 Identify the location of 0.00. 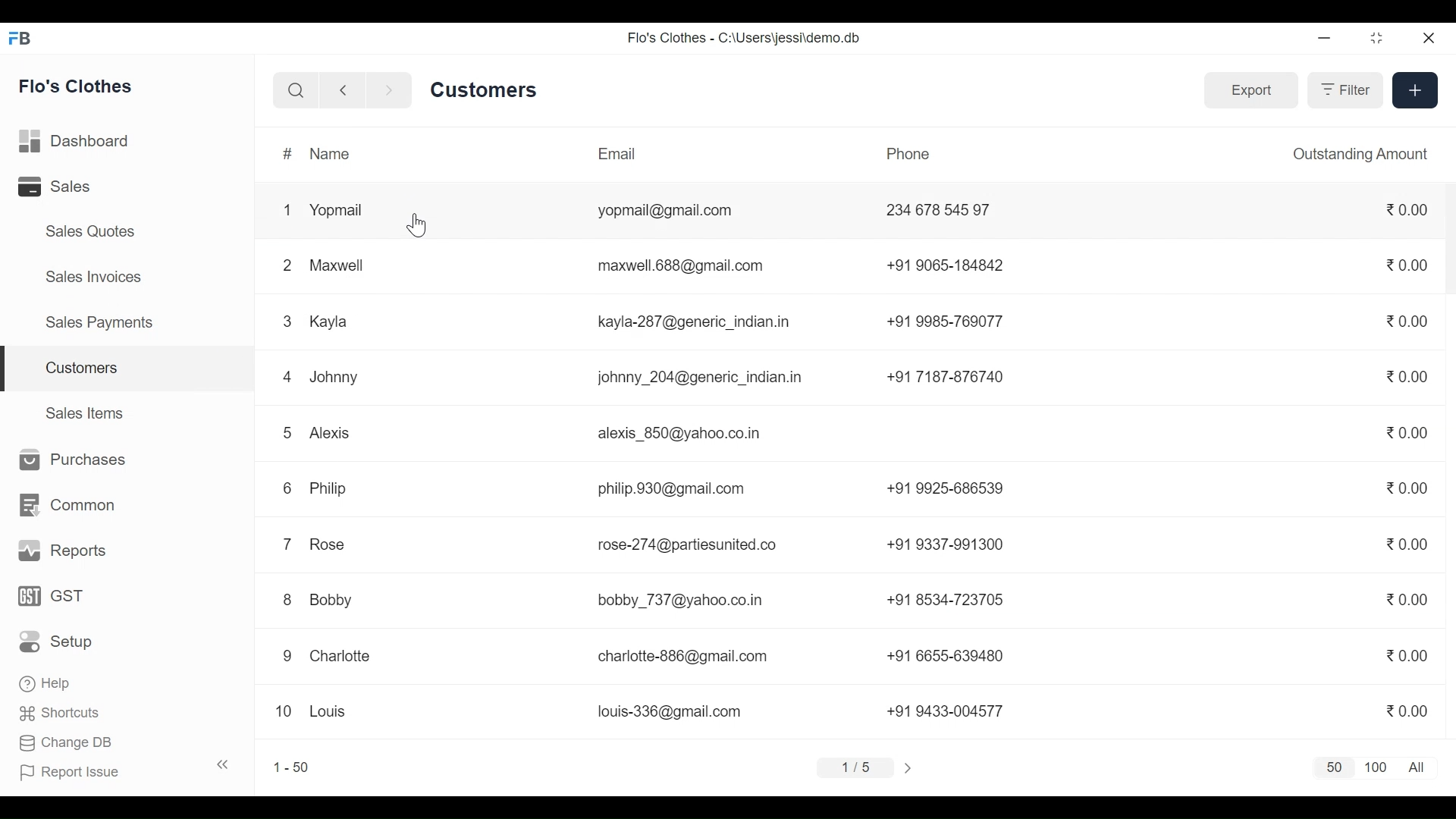
(1410, 435).